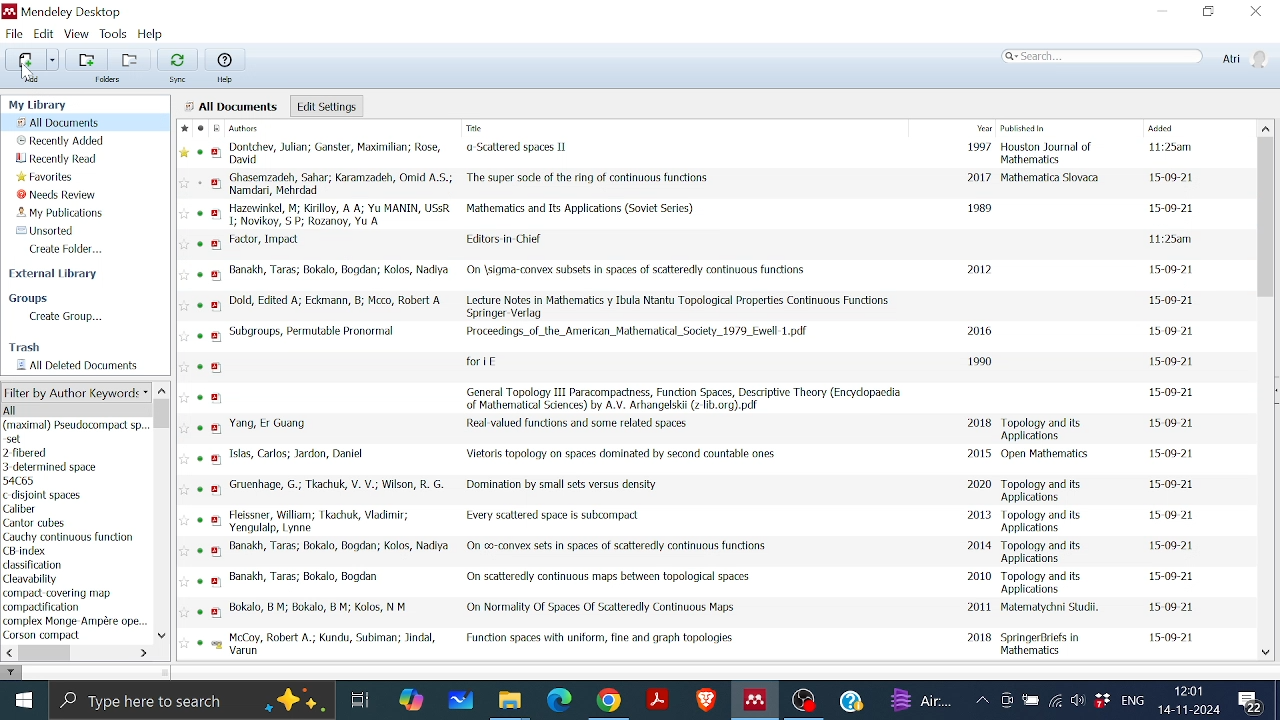 The height and width of the screenshot is (720, 1280). I want to click on 2011, so click(976, 608).